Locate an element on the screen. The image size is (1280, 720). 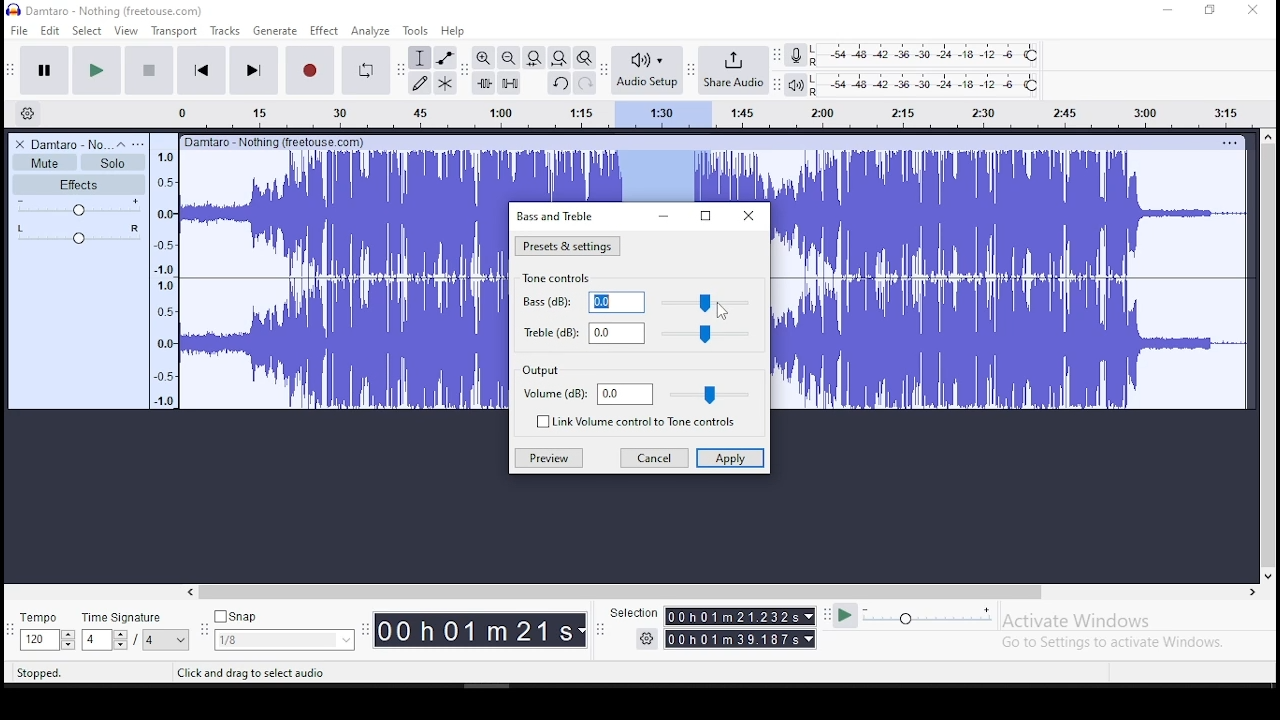
stop is located at coordinates (148, 69).